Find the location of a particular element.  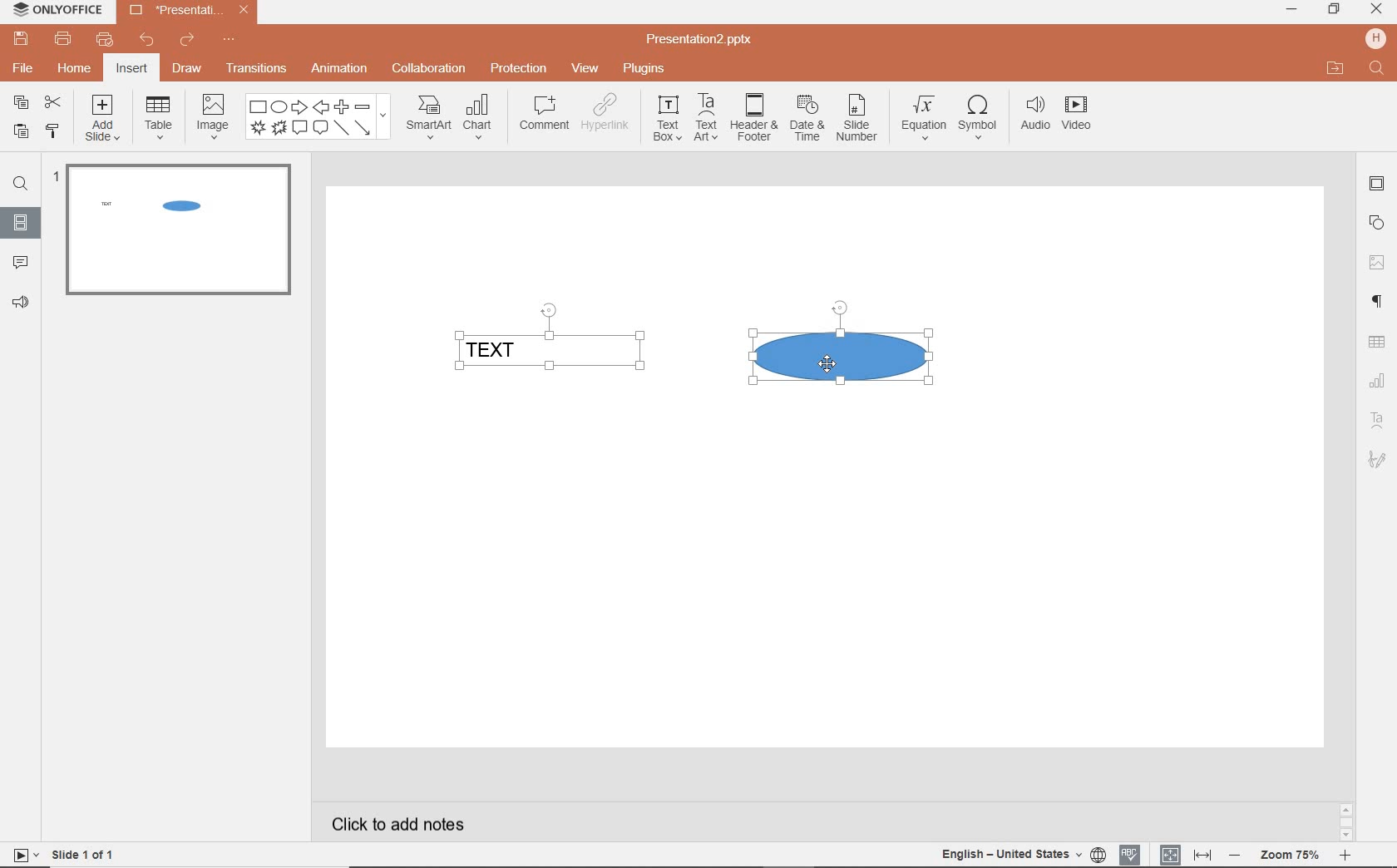

TEXT ART is located at coordinates (1377, 422).